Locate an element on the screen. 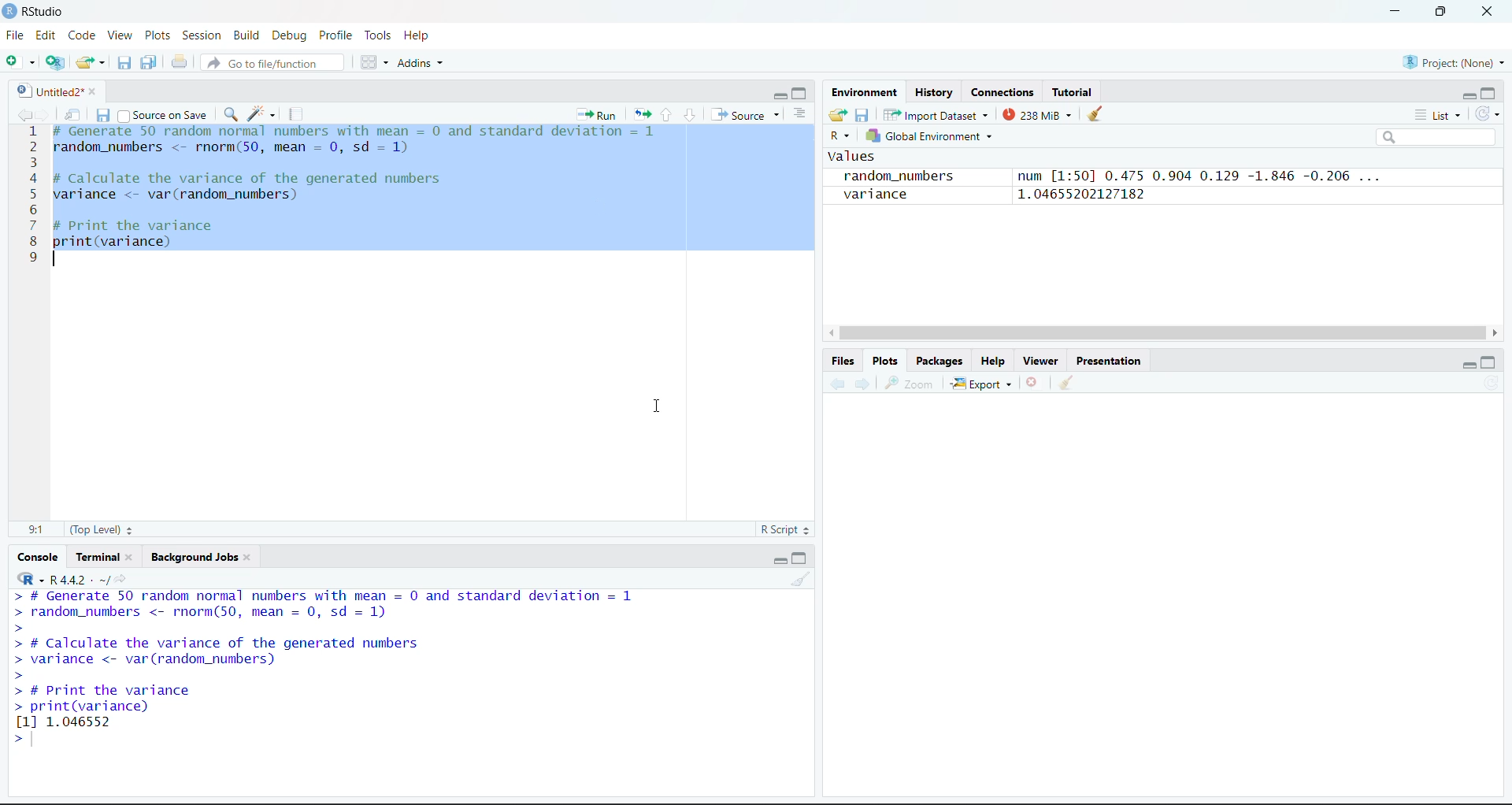 Image resolution: width=1512 pixels, height=805 pixels. Terminal is located at coordinates (97, 557).